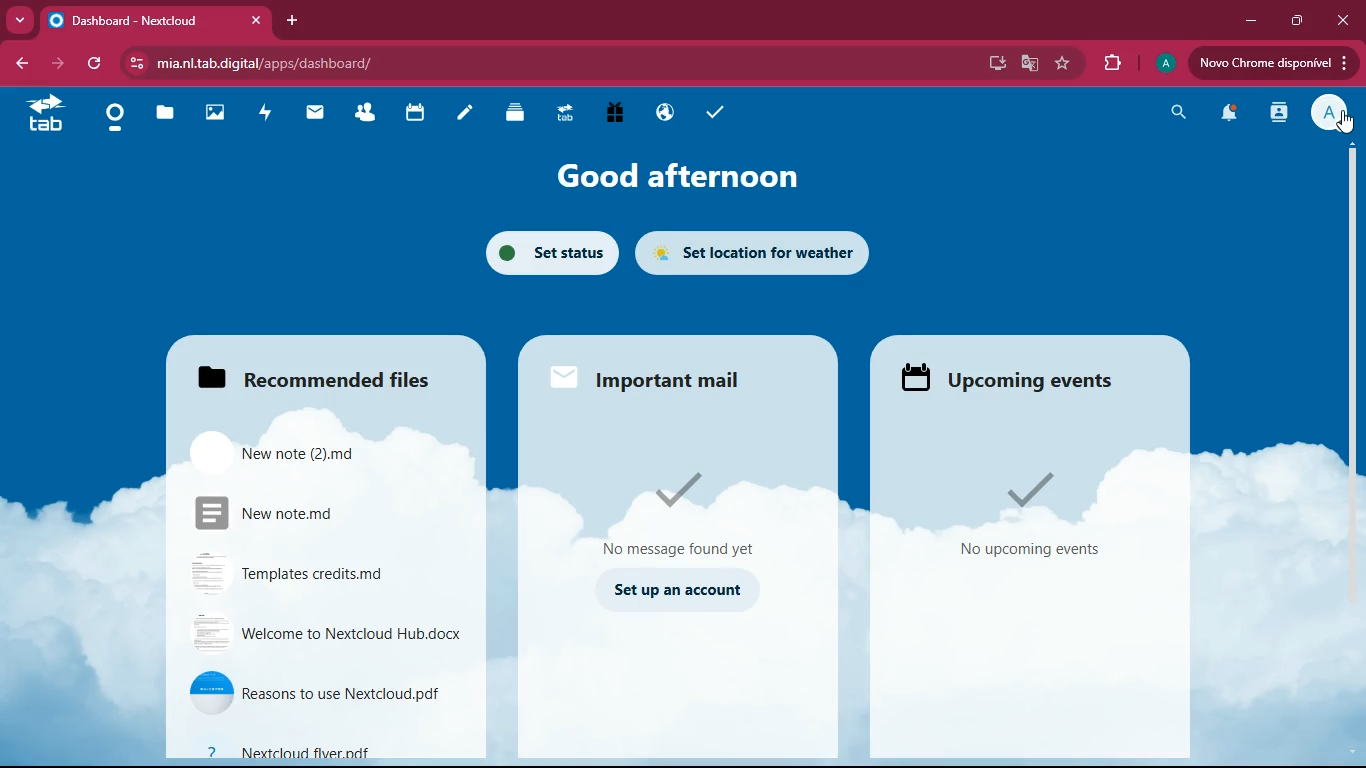  Describe the element at coordinates (677, 593) in the screenshot. I see `set up` at that location.